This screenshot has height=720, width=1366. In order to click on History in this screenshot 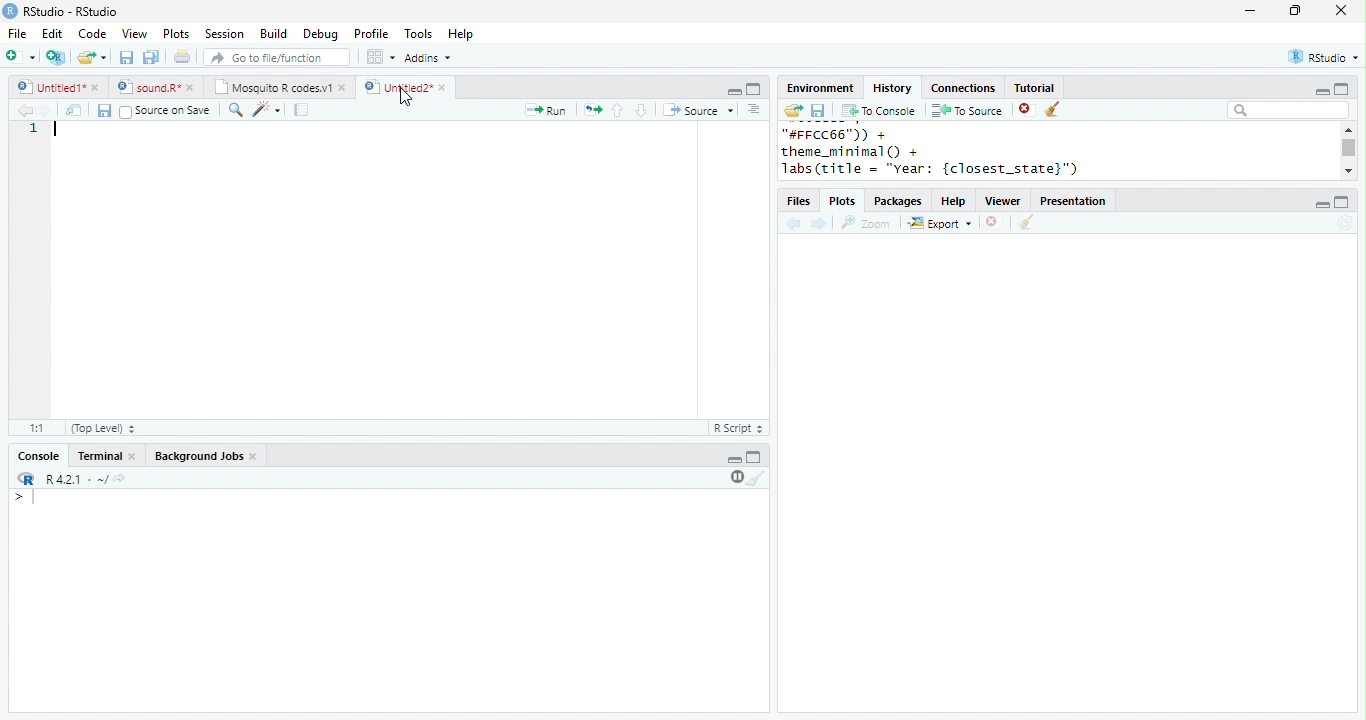, I will do `click(892, 88)`.